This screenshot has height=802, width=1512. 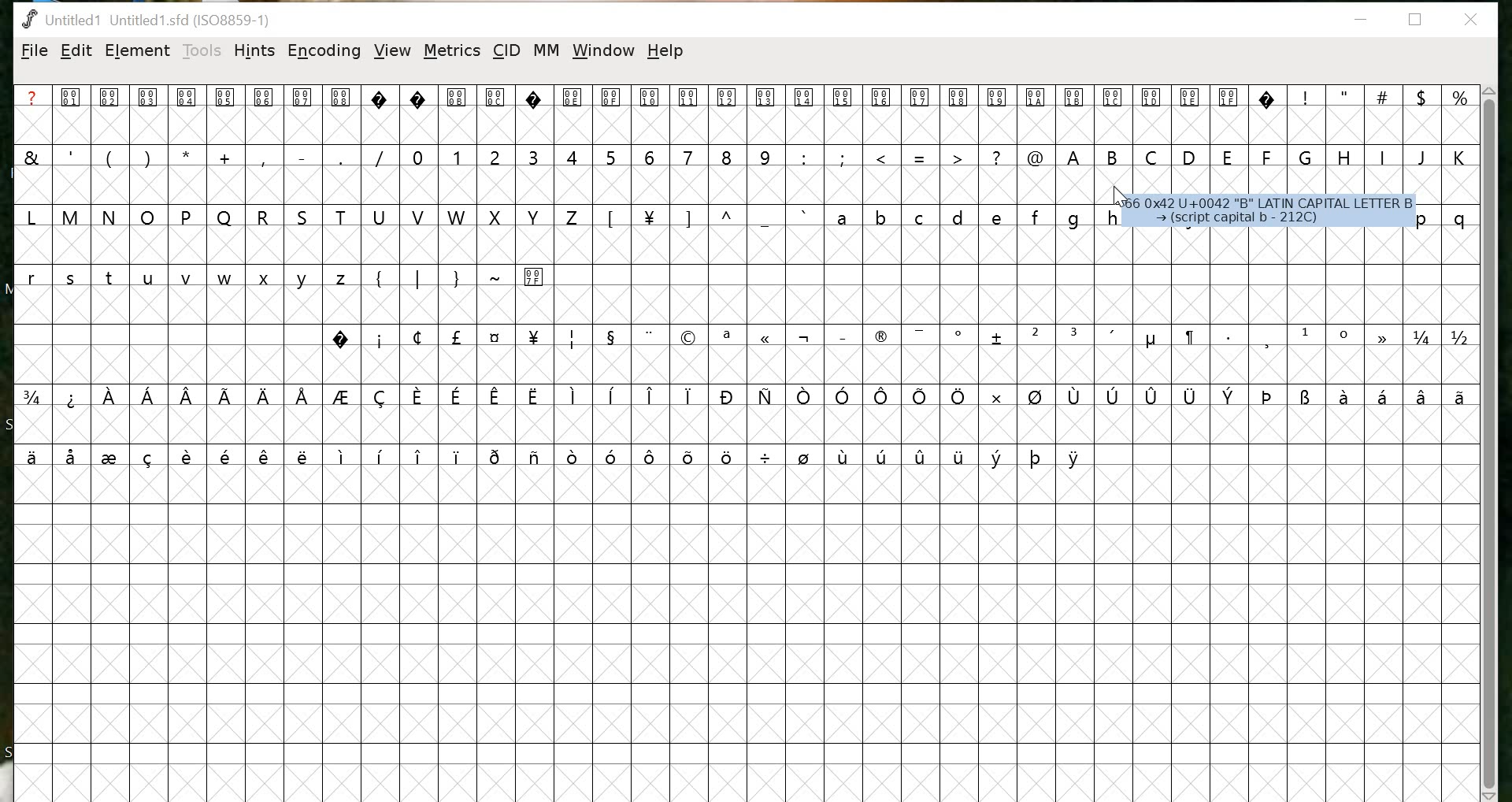 I want to click on HINTS, so click(x=254, y=51).